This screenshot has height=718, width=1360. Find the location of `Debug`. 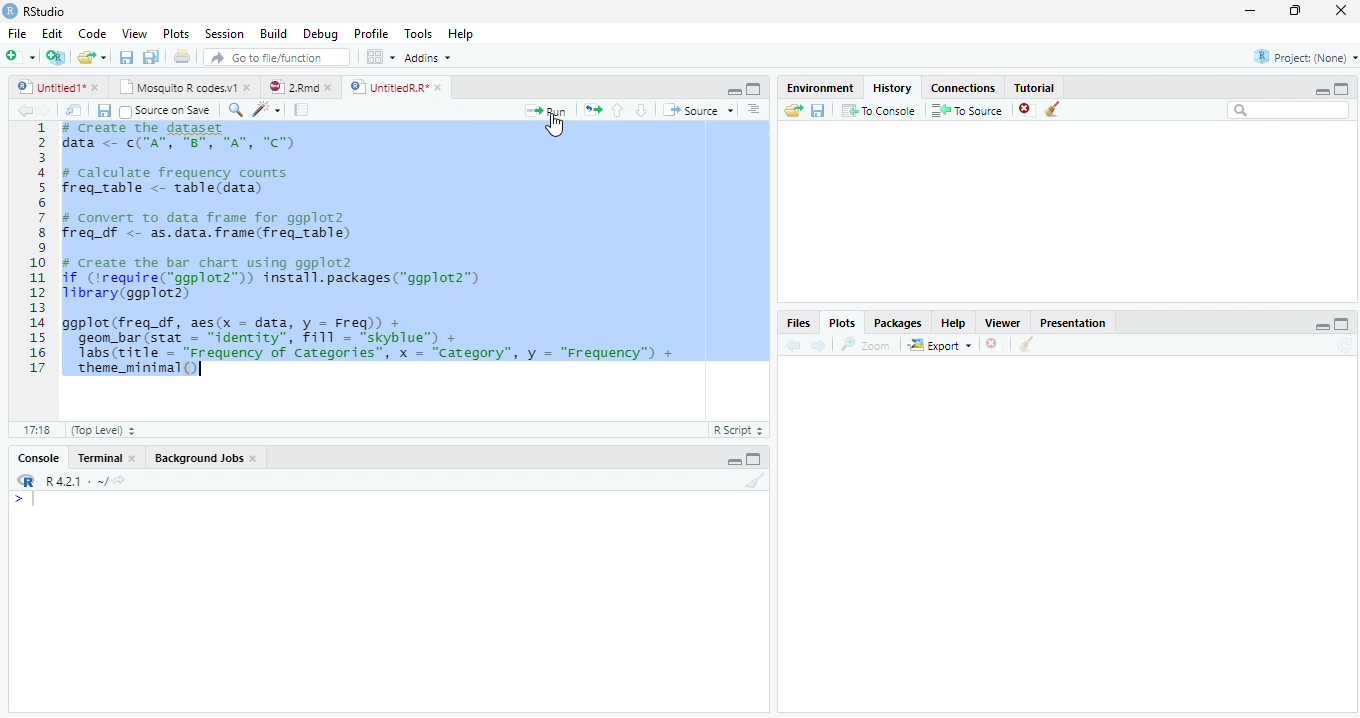

Debug is located at coordinates (321, 33).